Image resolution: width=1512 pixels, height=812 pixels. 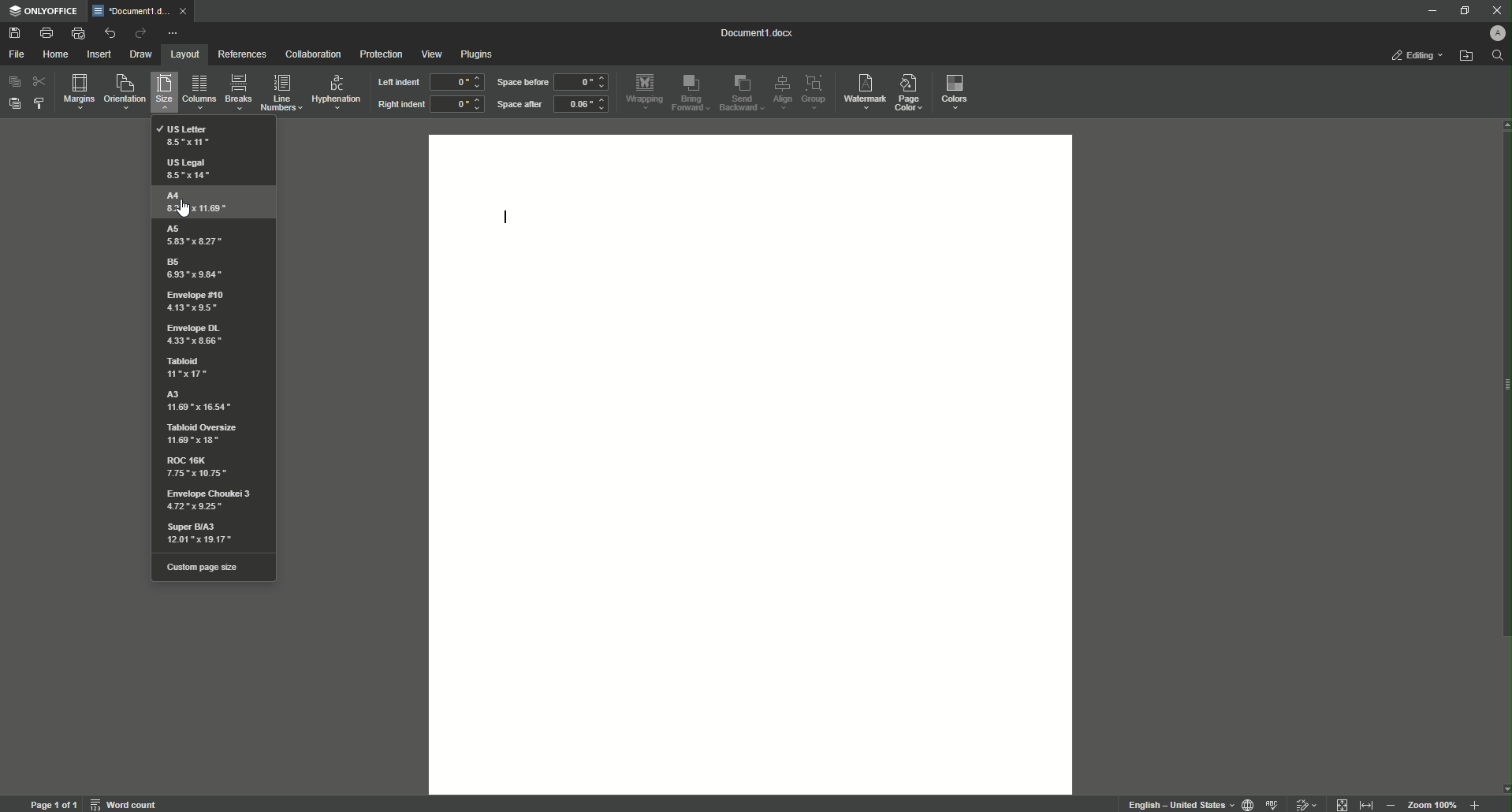 What do you see at coordinates (107, 32) in the screenshot?
I see `Undo` at bounding box center [107, 32].